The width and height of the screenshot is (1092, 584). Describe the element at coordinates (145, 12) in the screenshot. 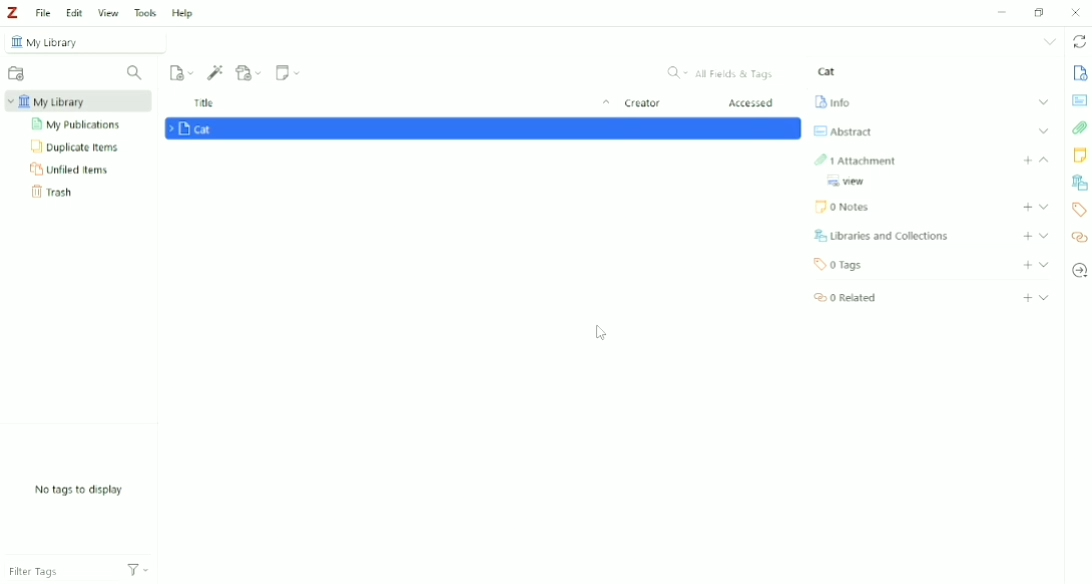

I see `Tools` at that location.